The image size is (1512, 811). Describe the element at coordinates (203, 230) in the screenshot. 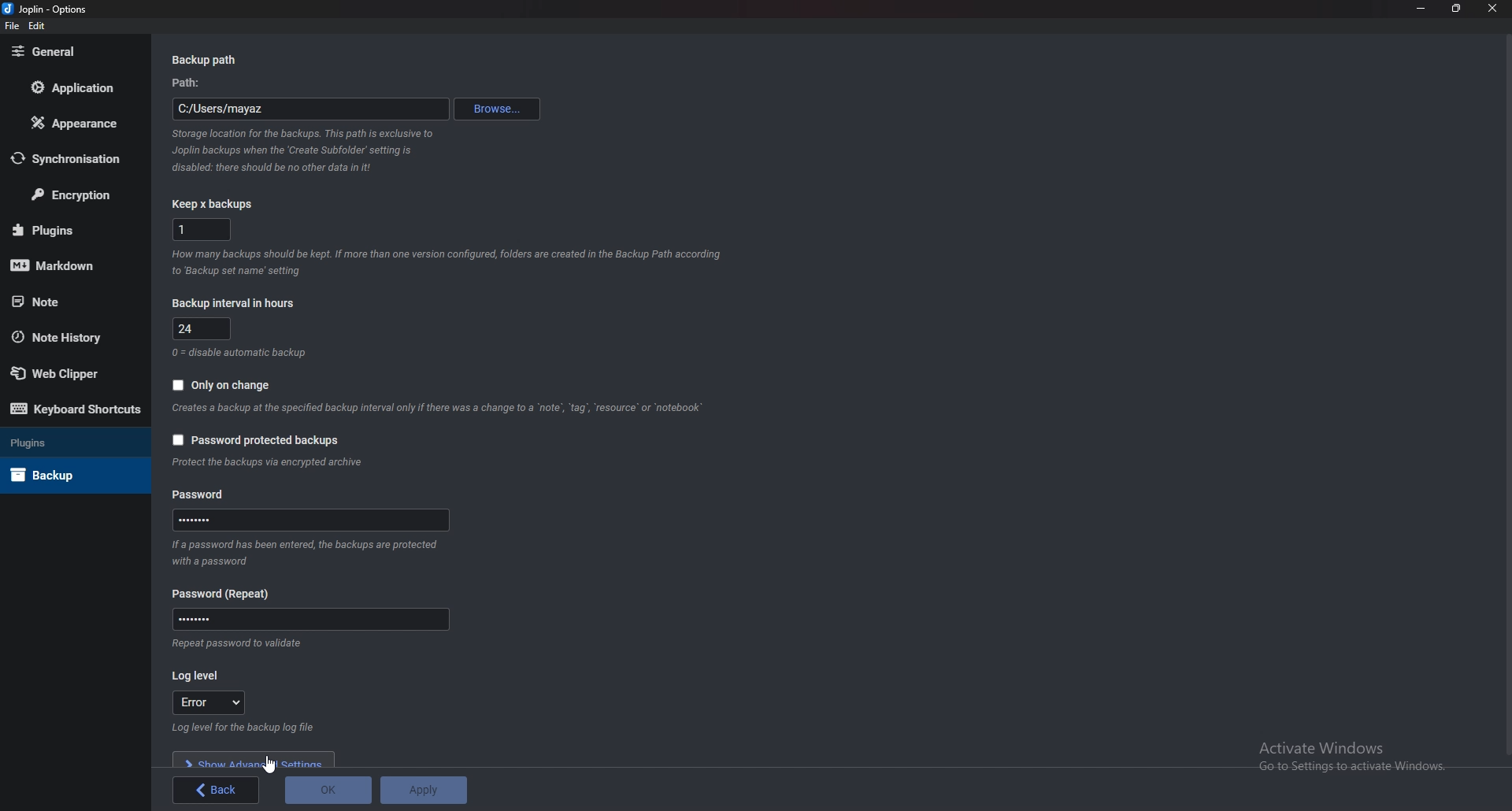

I see `x` at that location.